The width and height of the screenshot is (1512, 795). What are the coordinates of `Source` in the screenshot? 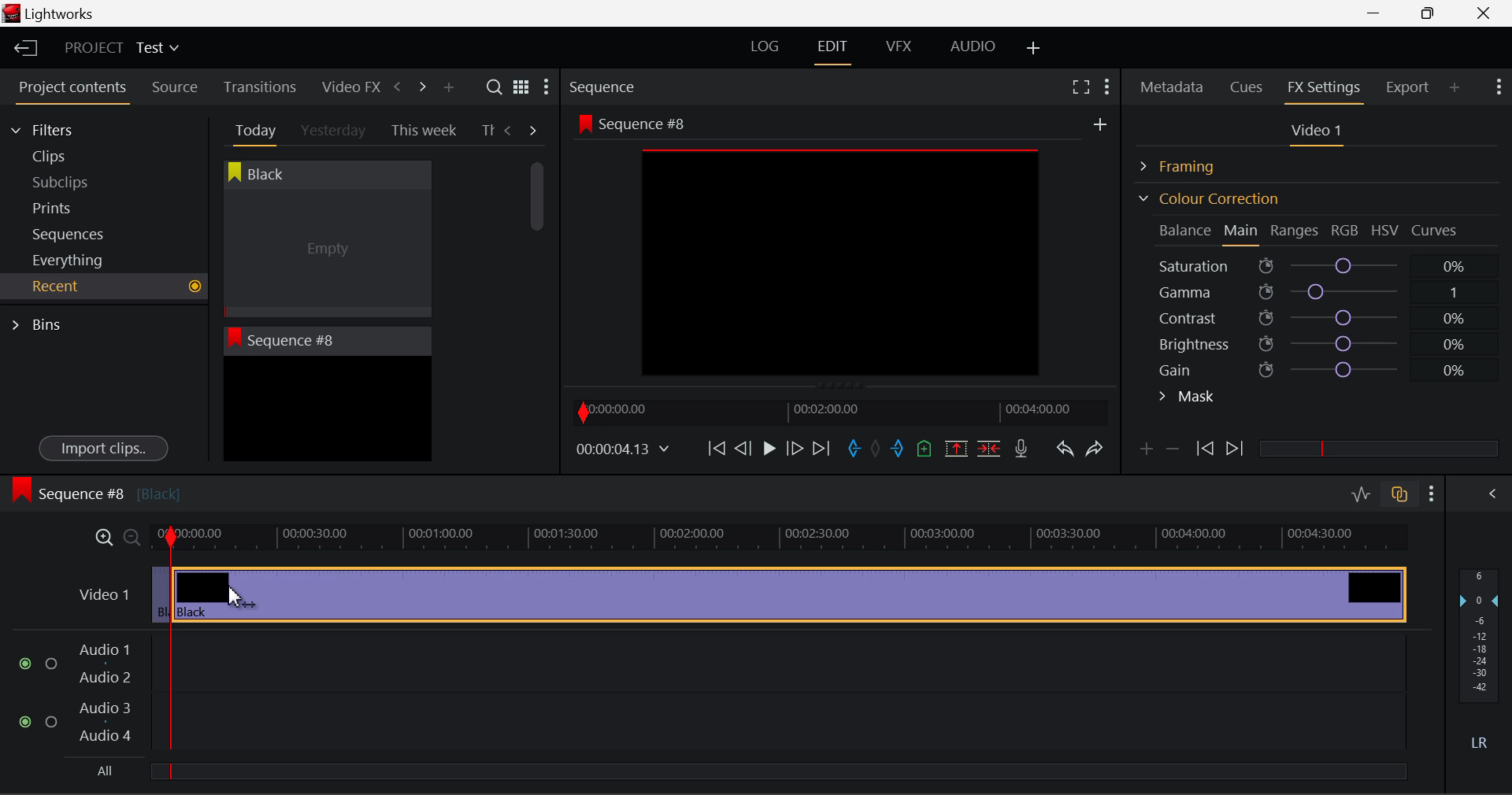 It's located at (175, 87).